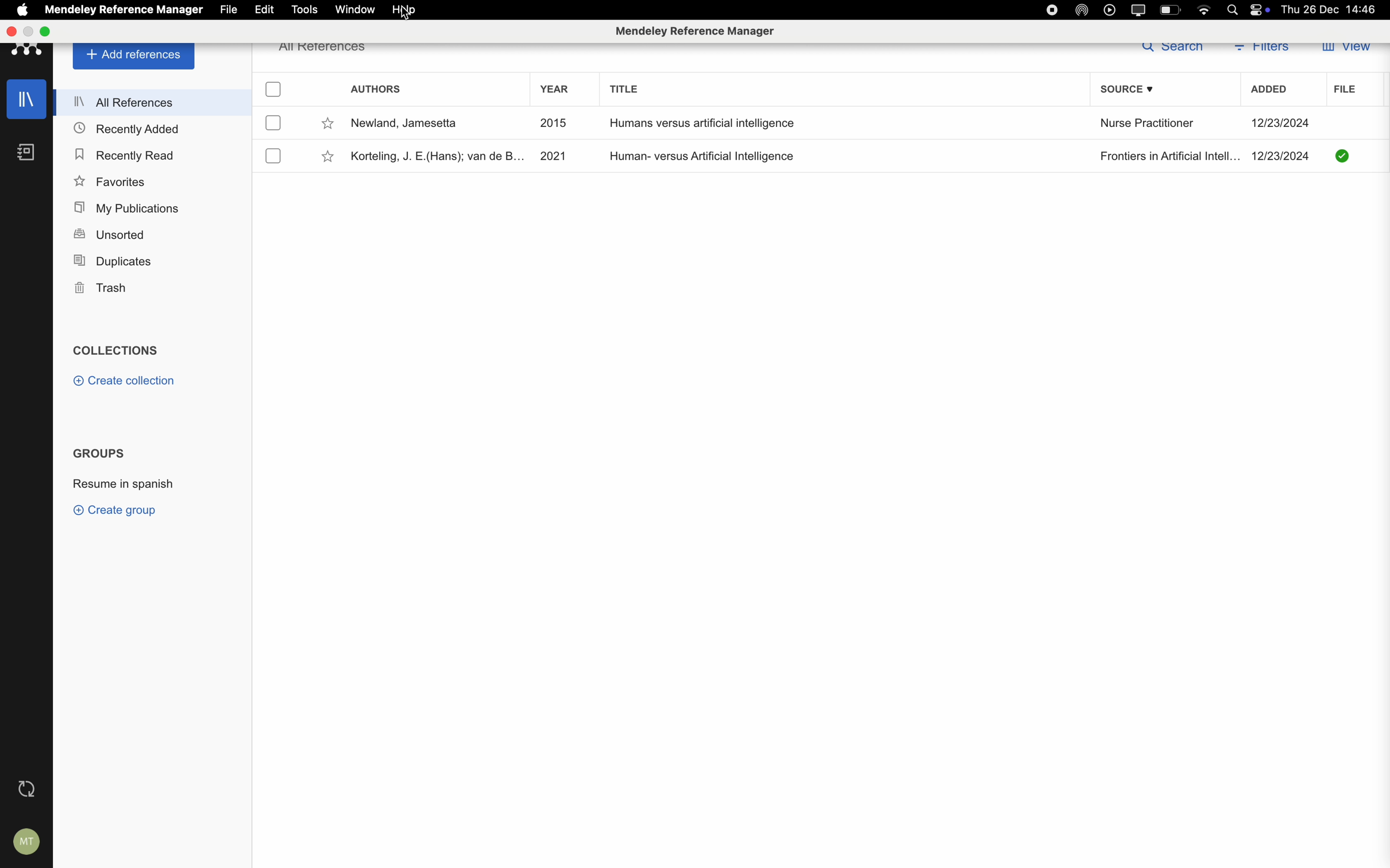  I want to click on Thu 26 Dec  14:46, so click(1335, 10).